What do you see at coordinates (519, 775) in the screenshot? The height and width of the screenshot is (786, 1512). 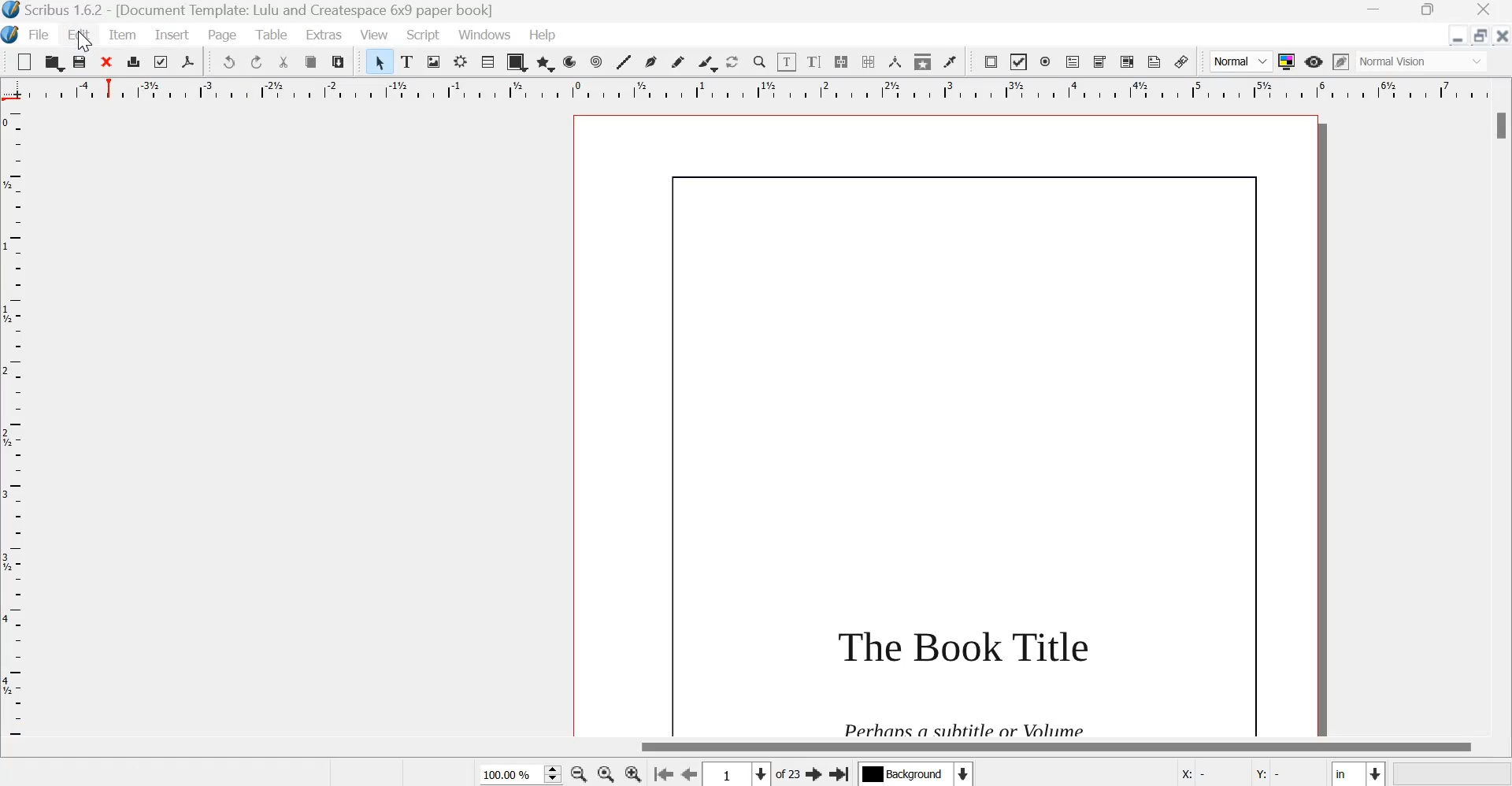 I see `current zoom level` at bounding box center [519, 775].